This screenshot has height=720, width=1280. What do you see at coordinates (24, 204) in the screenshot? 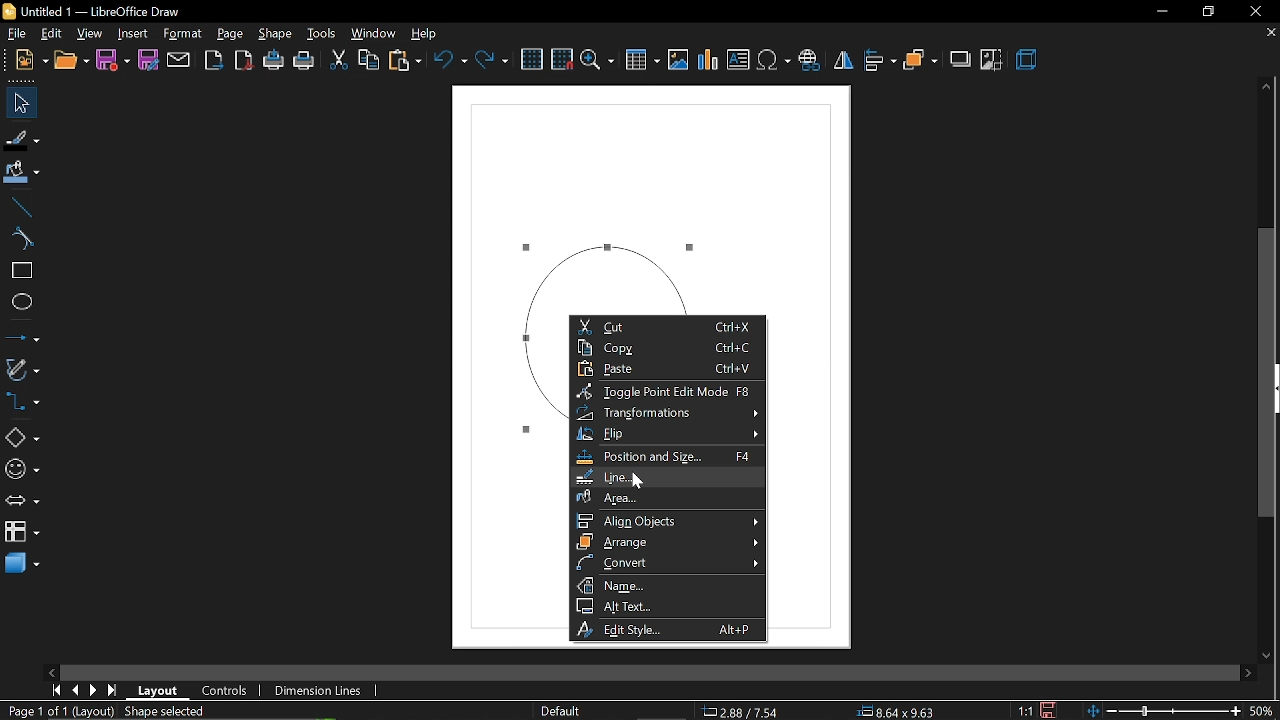
I see `line` at bounding box center [24, 204].